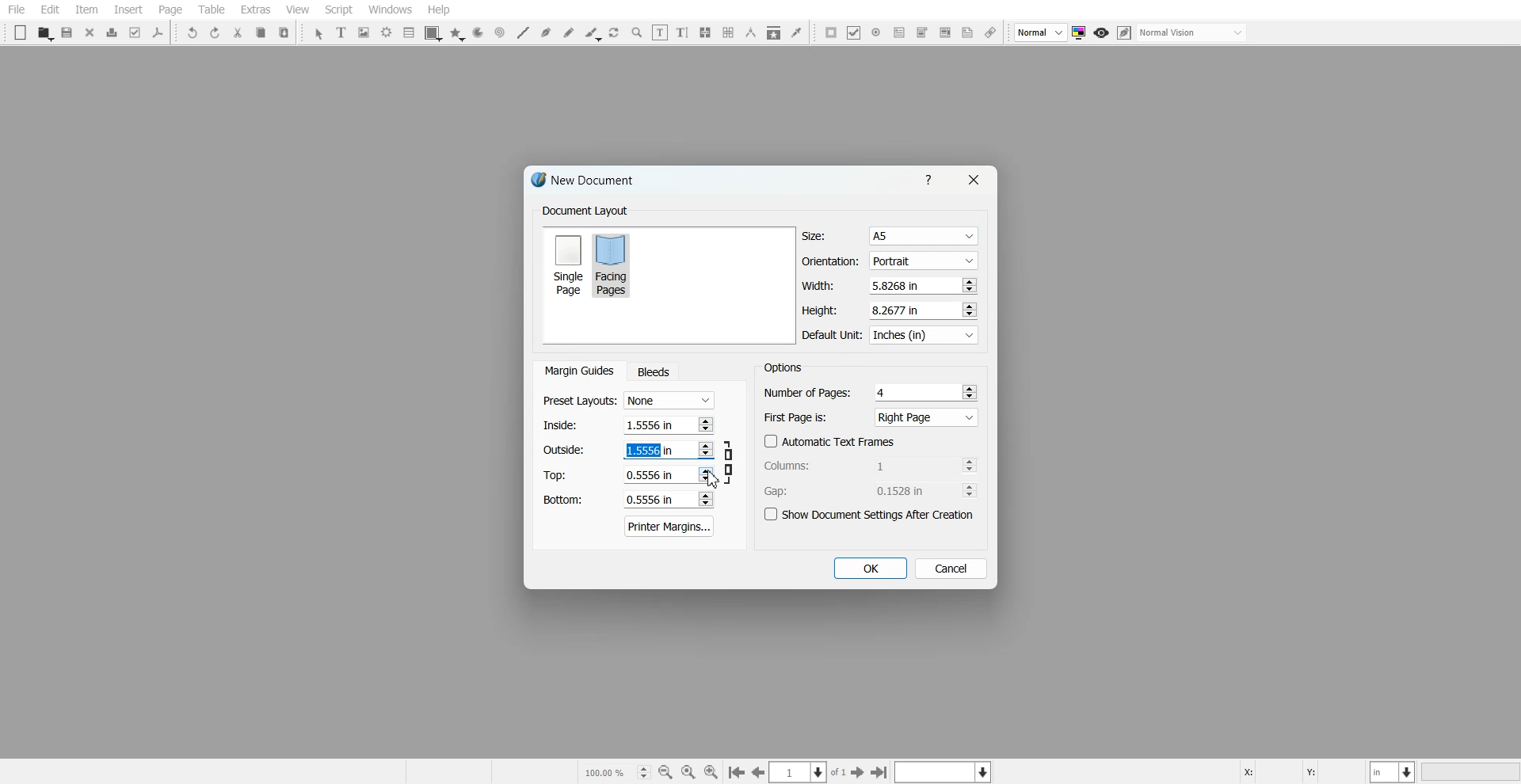 This screenshot has width=1521, height=784. Describe the element at coordinates (854, 32) in the screenshot. I see `PDF Check Box` at that location.